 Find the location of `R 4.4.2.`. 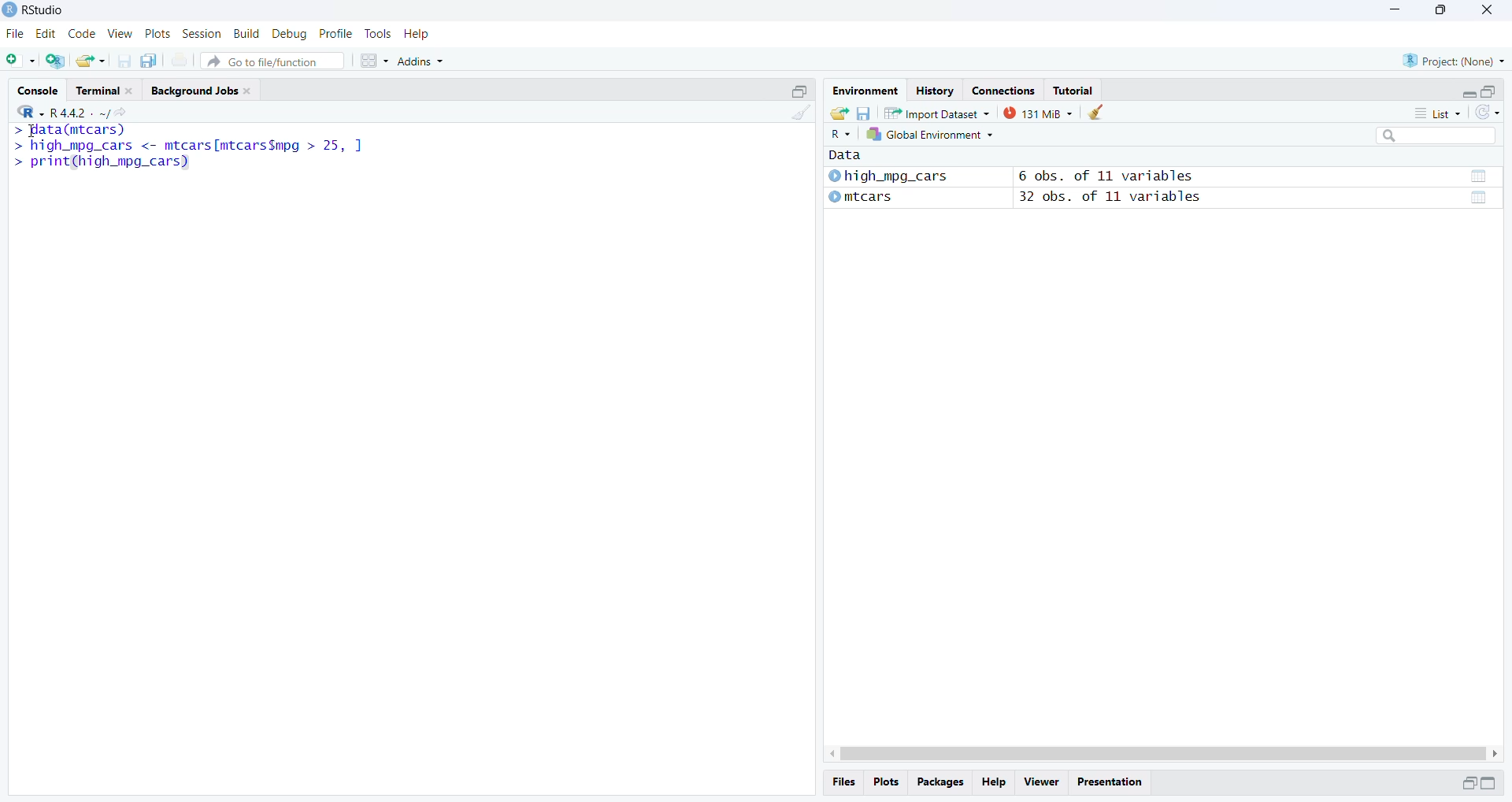

R 4.4.2. is located at coordinates (55, 112).